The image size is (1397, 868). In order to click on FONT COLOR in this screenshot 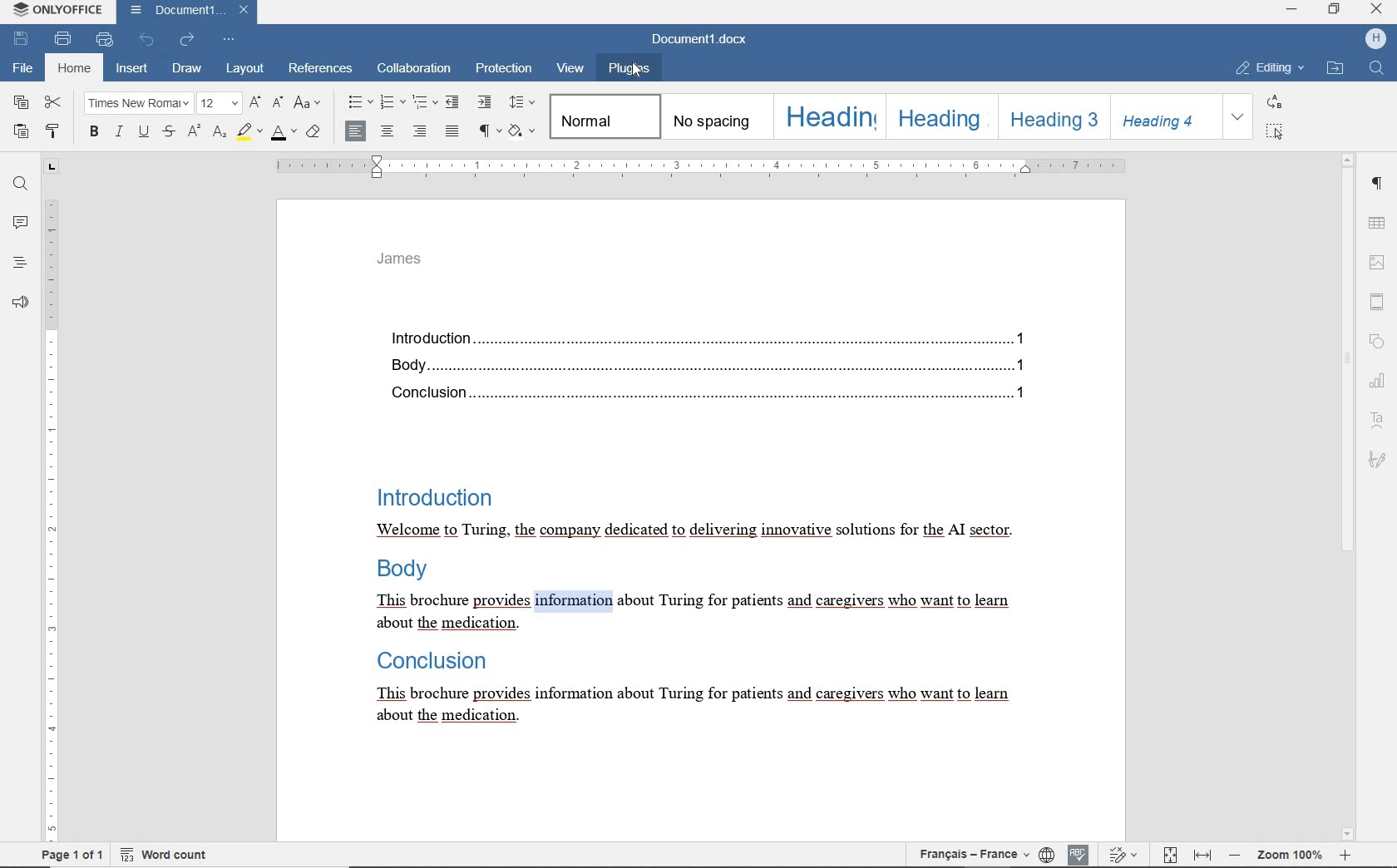, I will do `click(284, 136)`.